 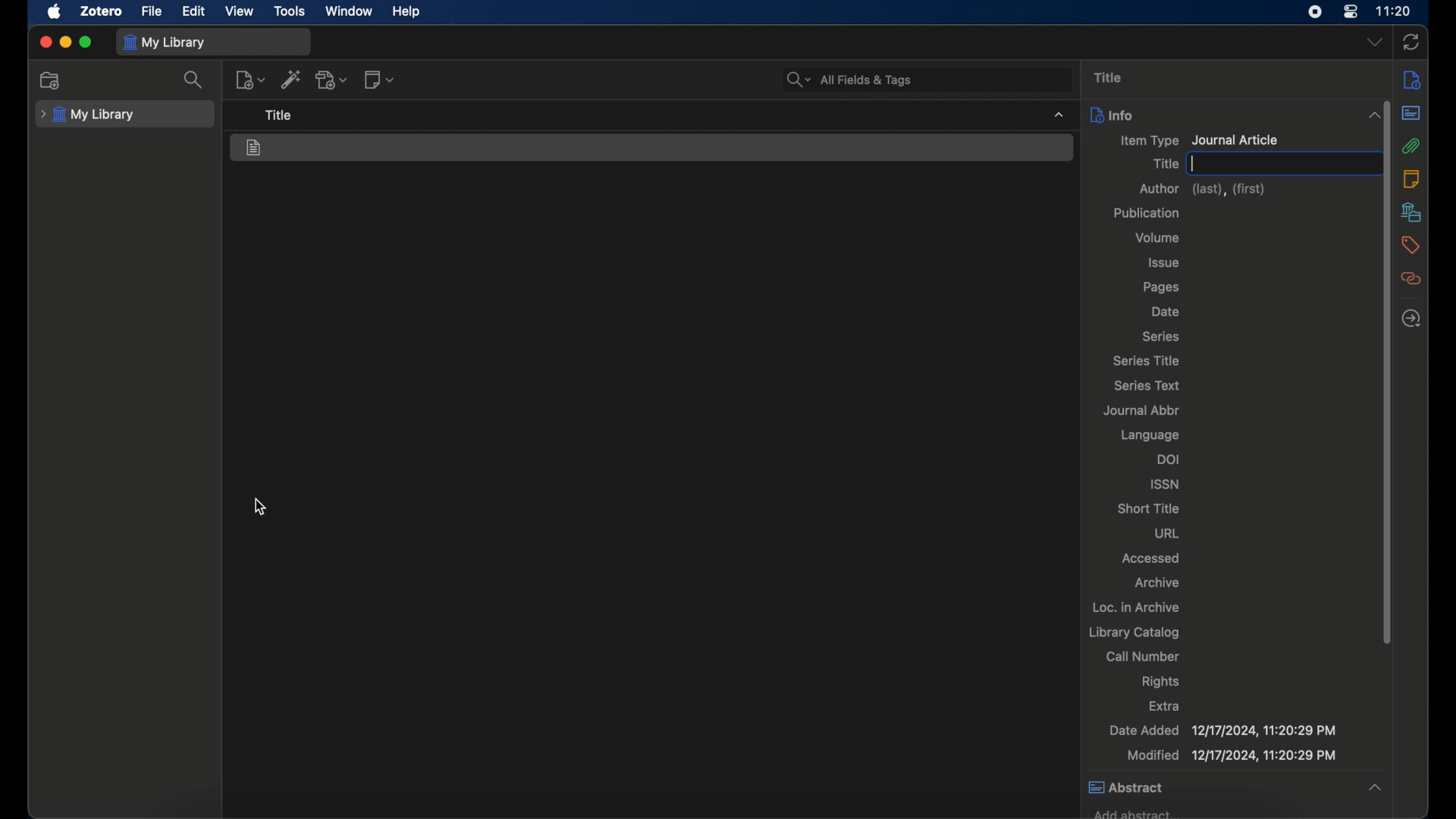 I want to click on date, so click(x=1166, y=312).